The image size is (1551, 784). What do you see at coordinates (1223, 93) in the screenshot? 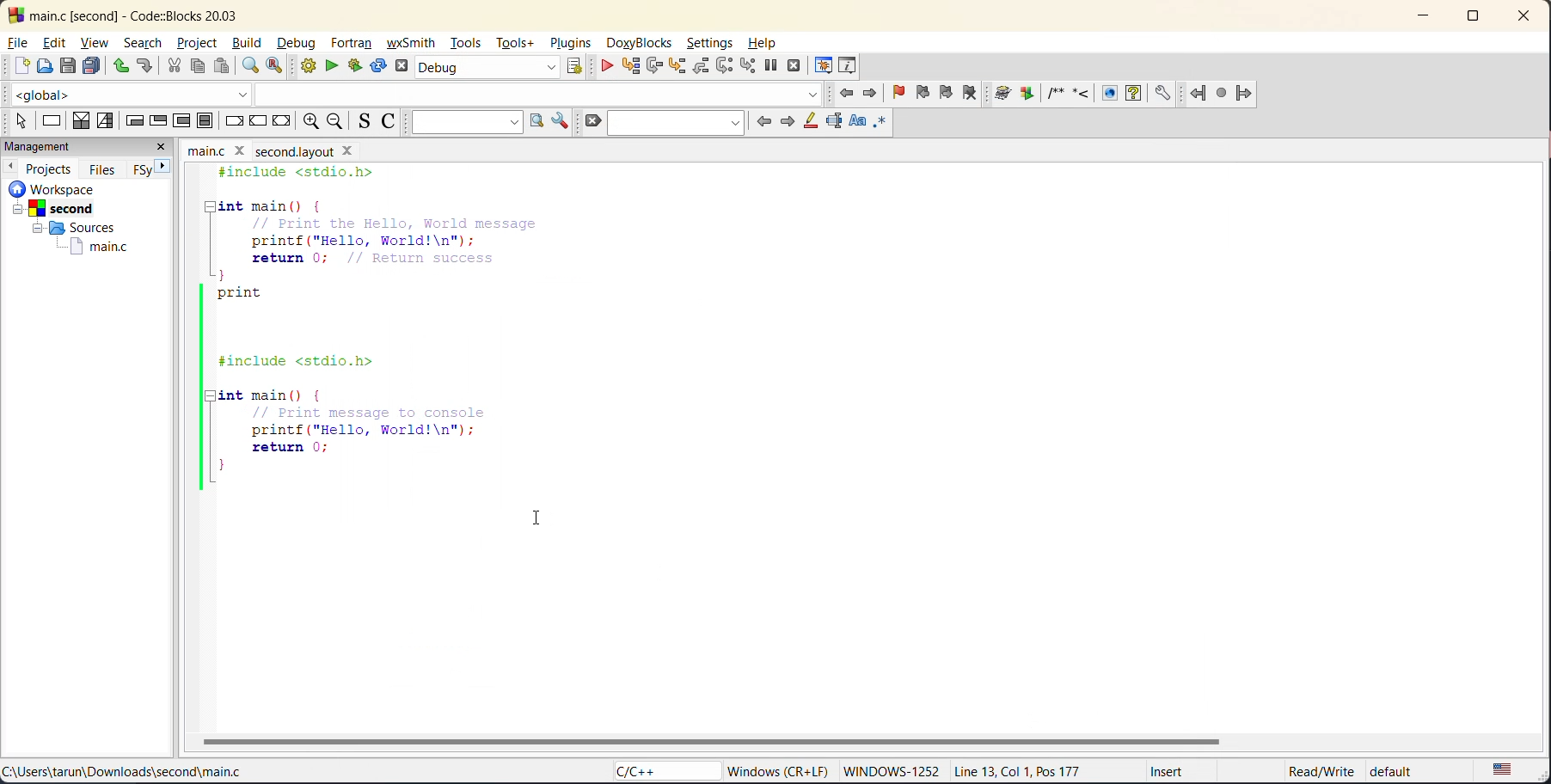
I see `last jump` at bounding box center [1223, 93].